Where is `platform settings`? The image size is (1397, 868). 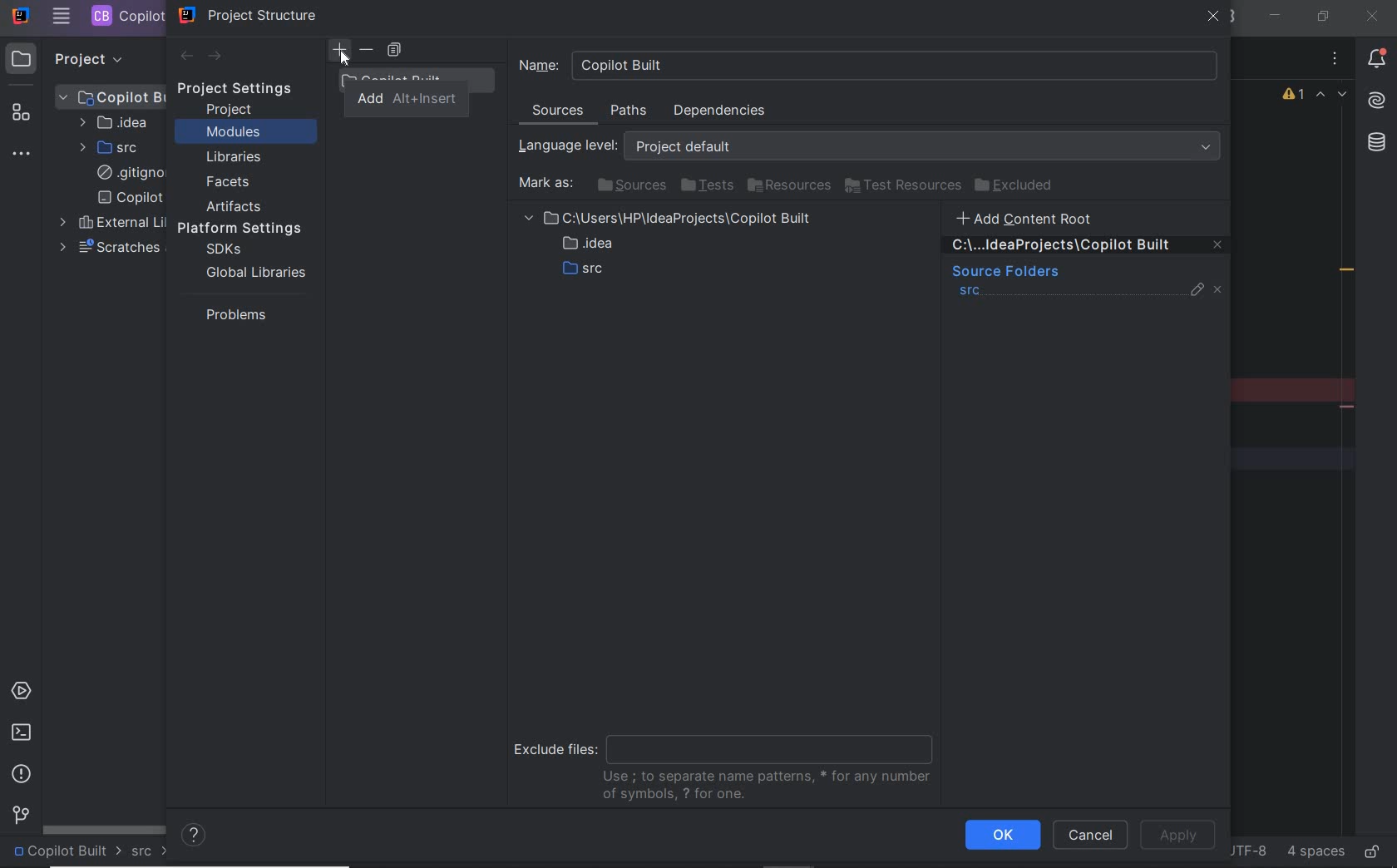 platform settings is located at coordinates (245, 229).